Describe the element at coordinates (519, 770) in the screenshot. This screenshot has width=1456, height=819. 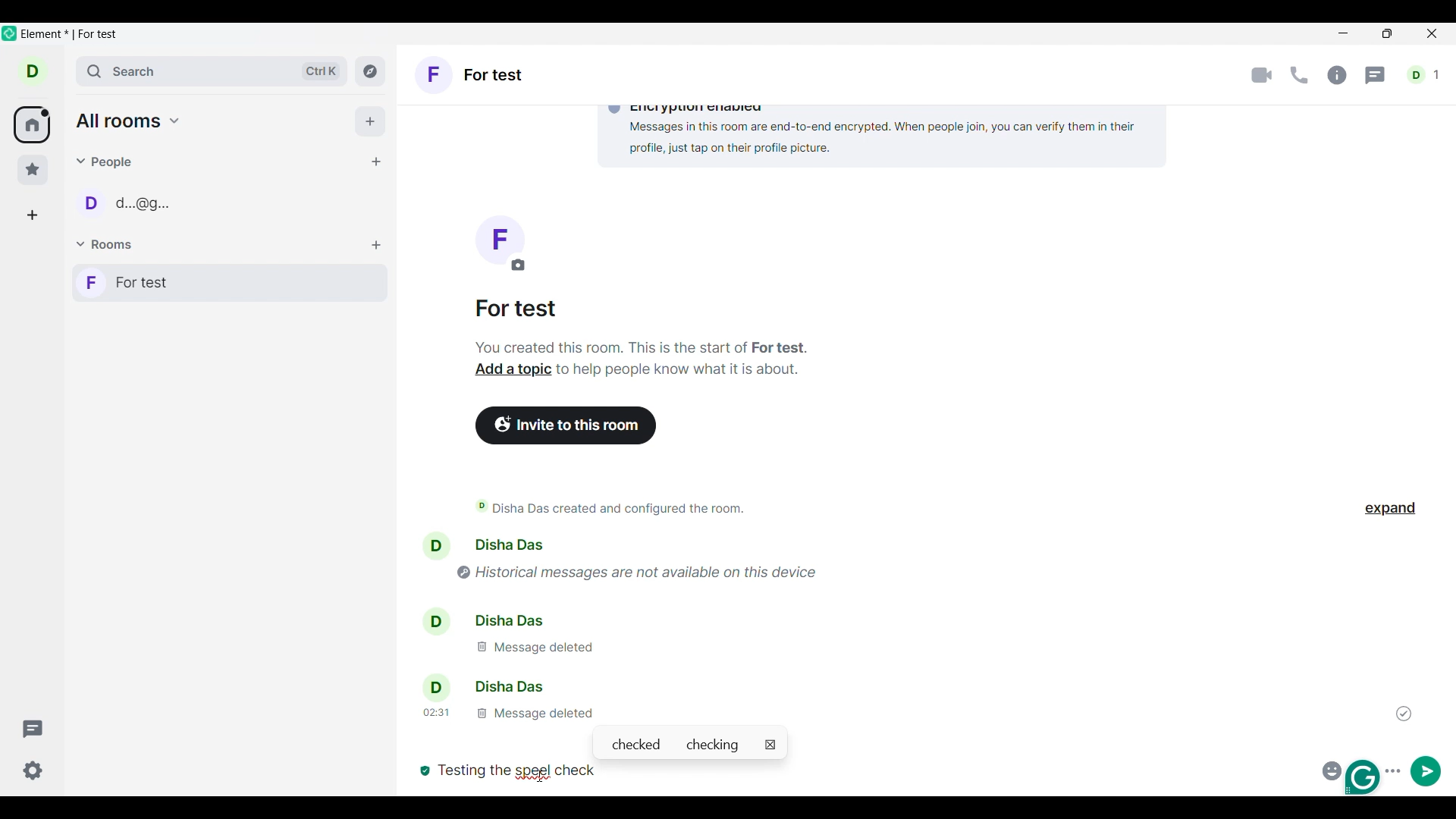
I see `testing the spell check` at that location.